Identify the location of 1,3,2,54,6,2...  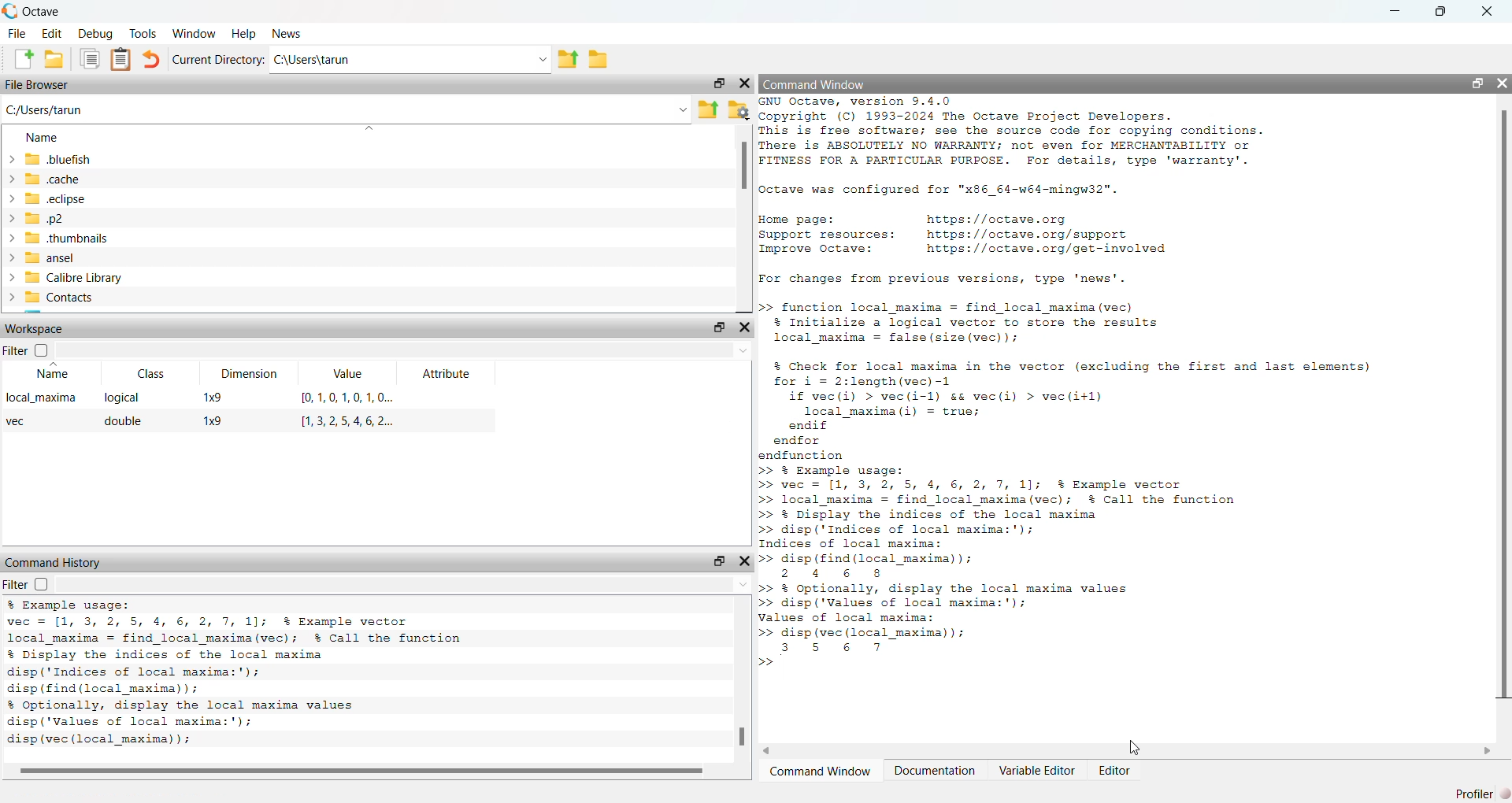
(349, 420).